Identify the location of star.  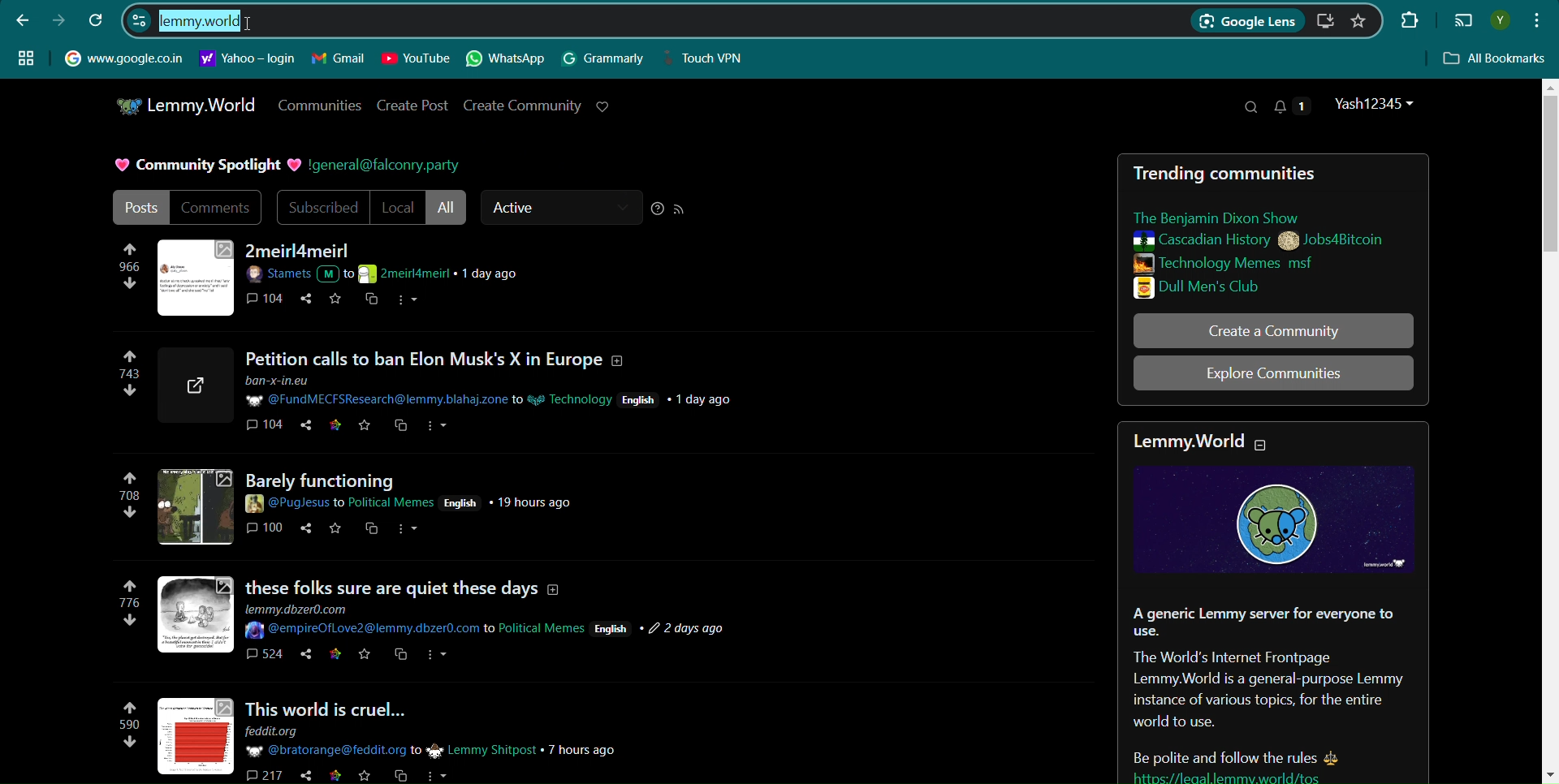
(334, 777).